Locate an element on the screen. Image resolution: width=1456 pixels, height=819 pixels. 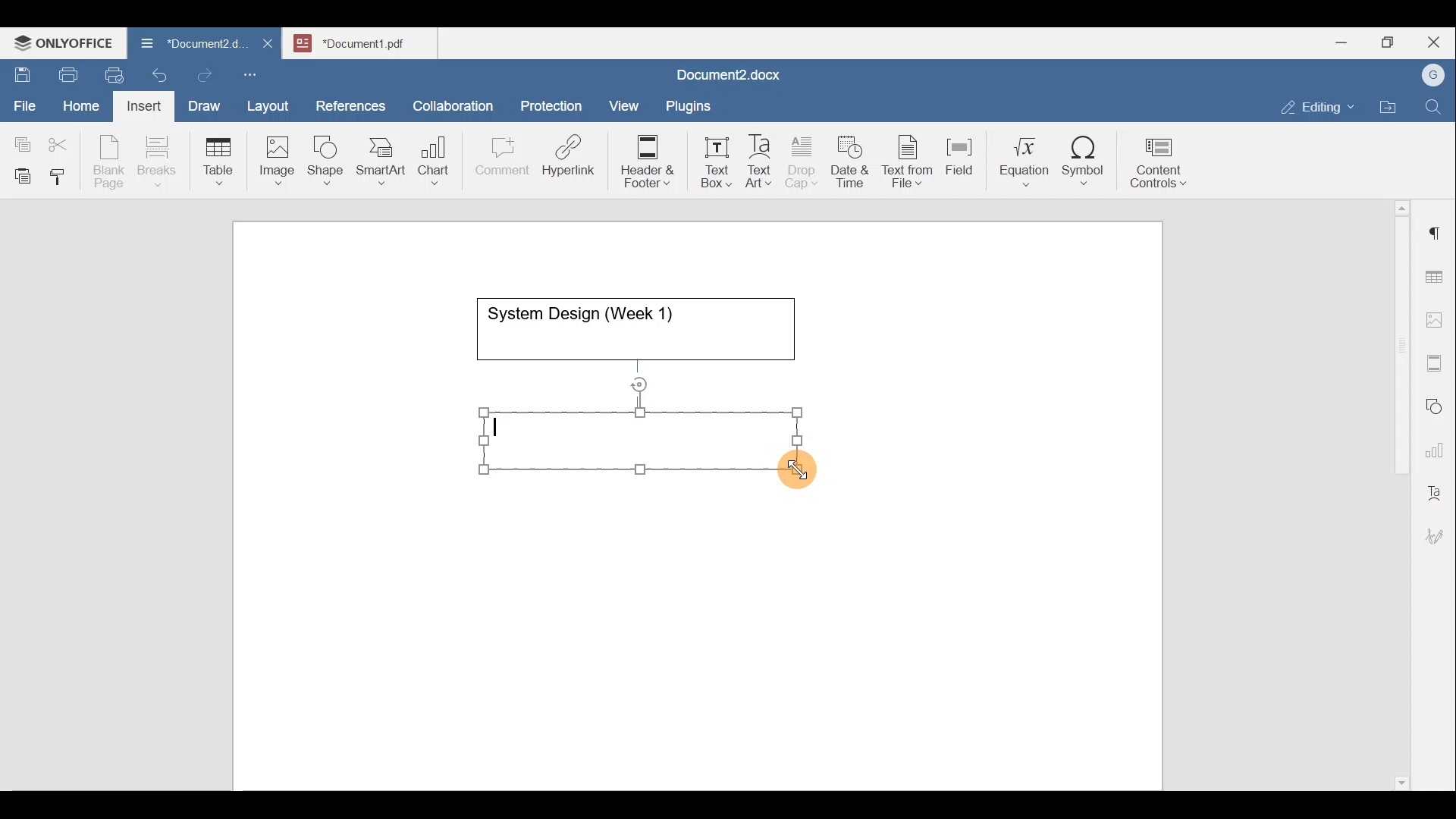
Equation is located at coordinates (1028, 161).